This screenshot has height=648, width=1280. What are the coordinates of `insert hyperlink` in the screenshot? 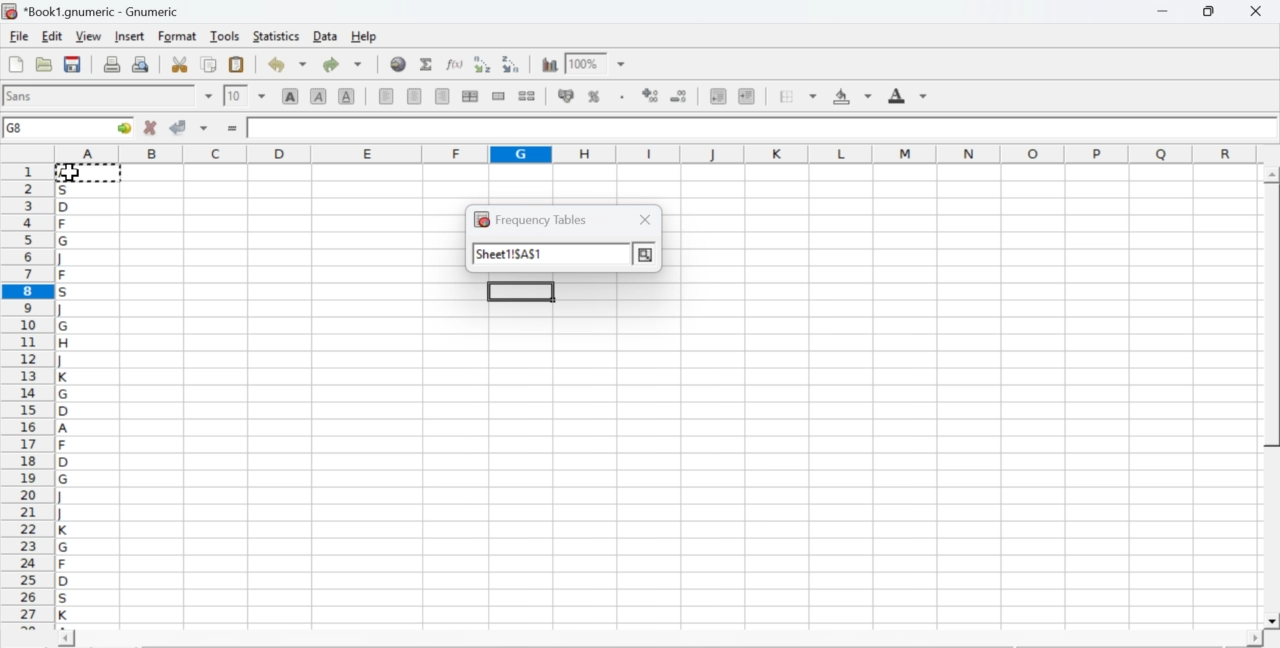 It's located at (399, 64).